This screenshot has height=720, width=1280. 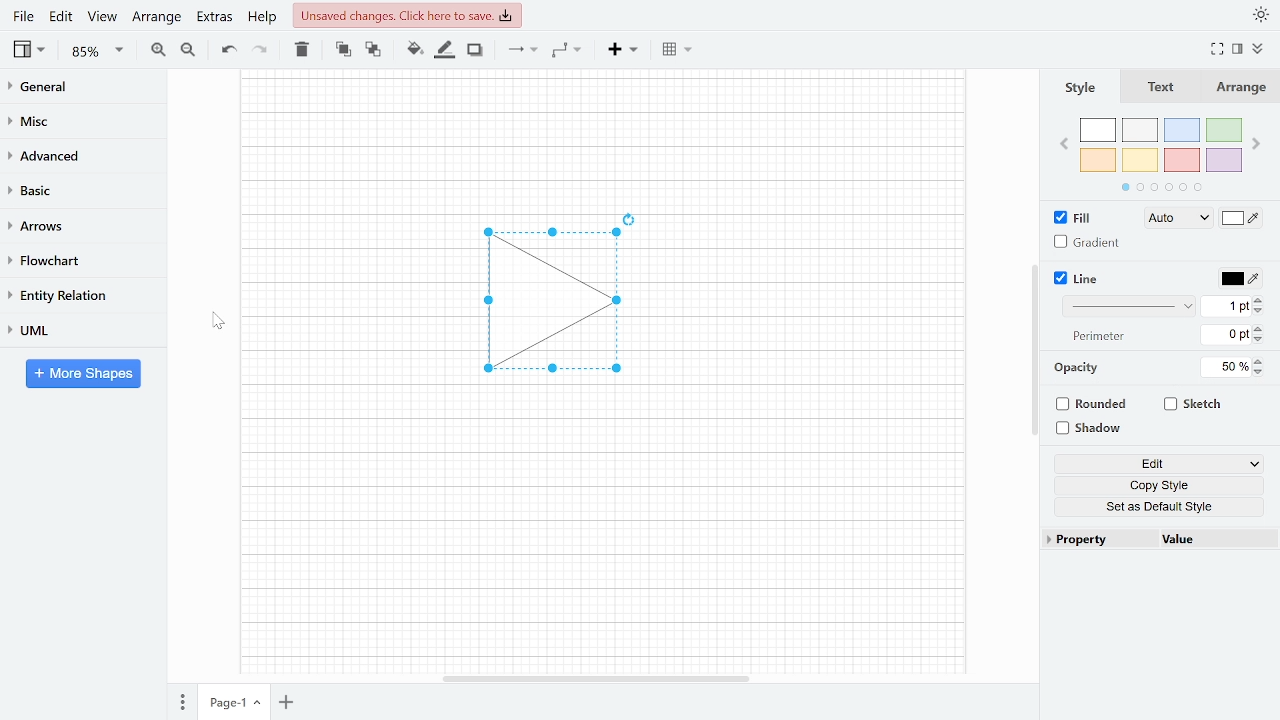 What do you see at coordinates (1242, 220) in the screenshot?
I see `Fill color` at bounding box center [1242, 220].